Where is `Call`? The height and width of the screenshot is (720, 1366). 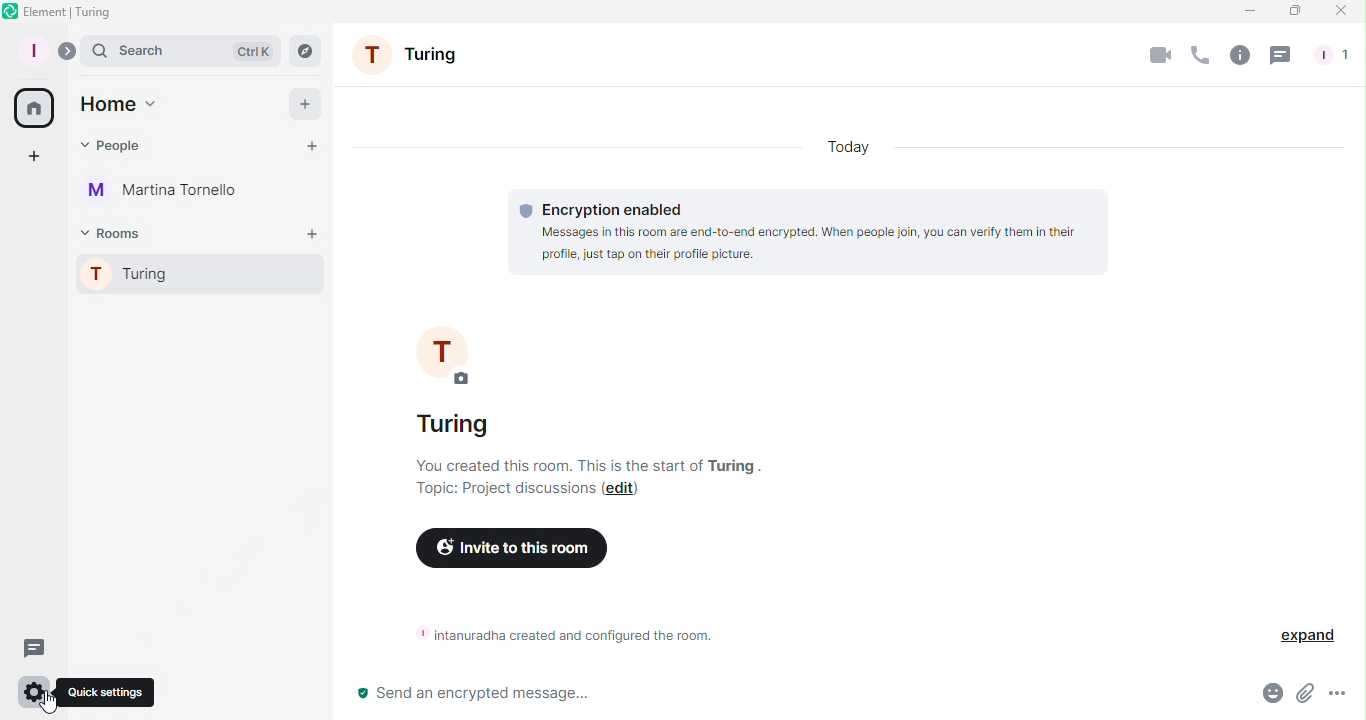 Call is located at coordinates (1199, 62).